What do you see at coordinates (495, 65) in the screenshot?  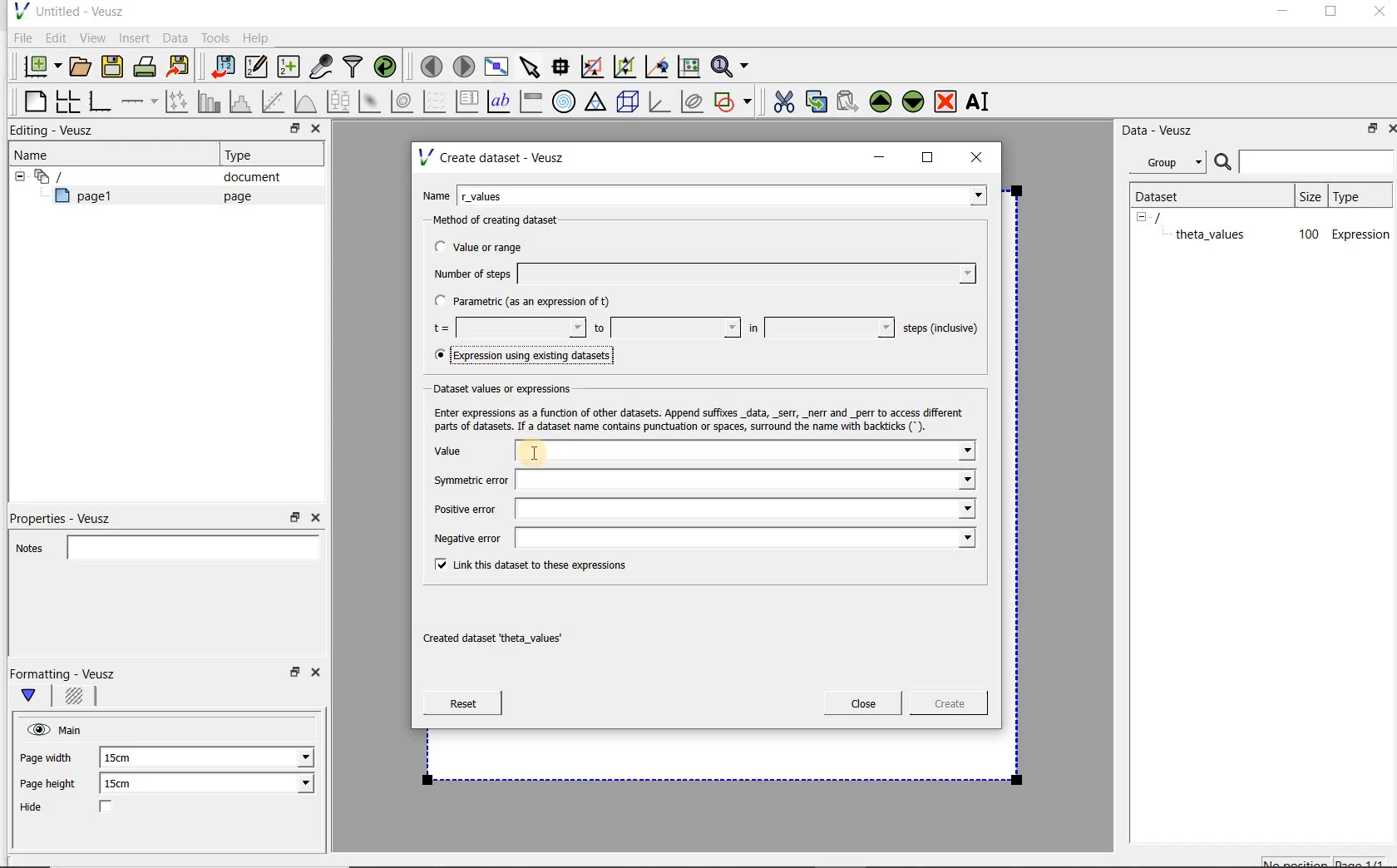 I see `view plot full screen` at bounding box center [495, 65].